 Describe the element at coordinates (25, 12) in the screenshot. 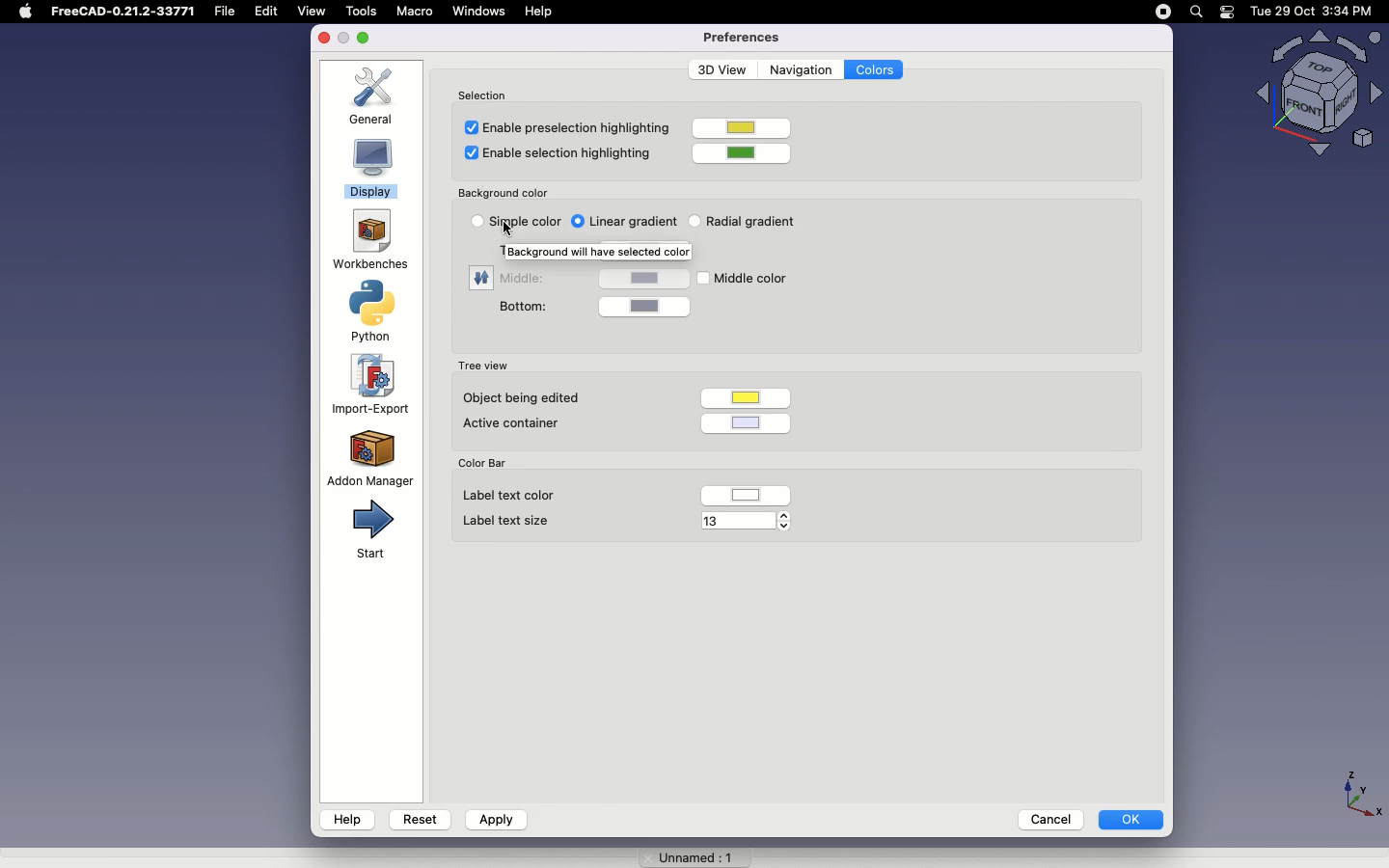

I see `Apple Logo` at that location.